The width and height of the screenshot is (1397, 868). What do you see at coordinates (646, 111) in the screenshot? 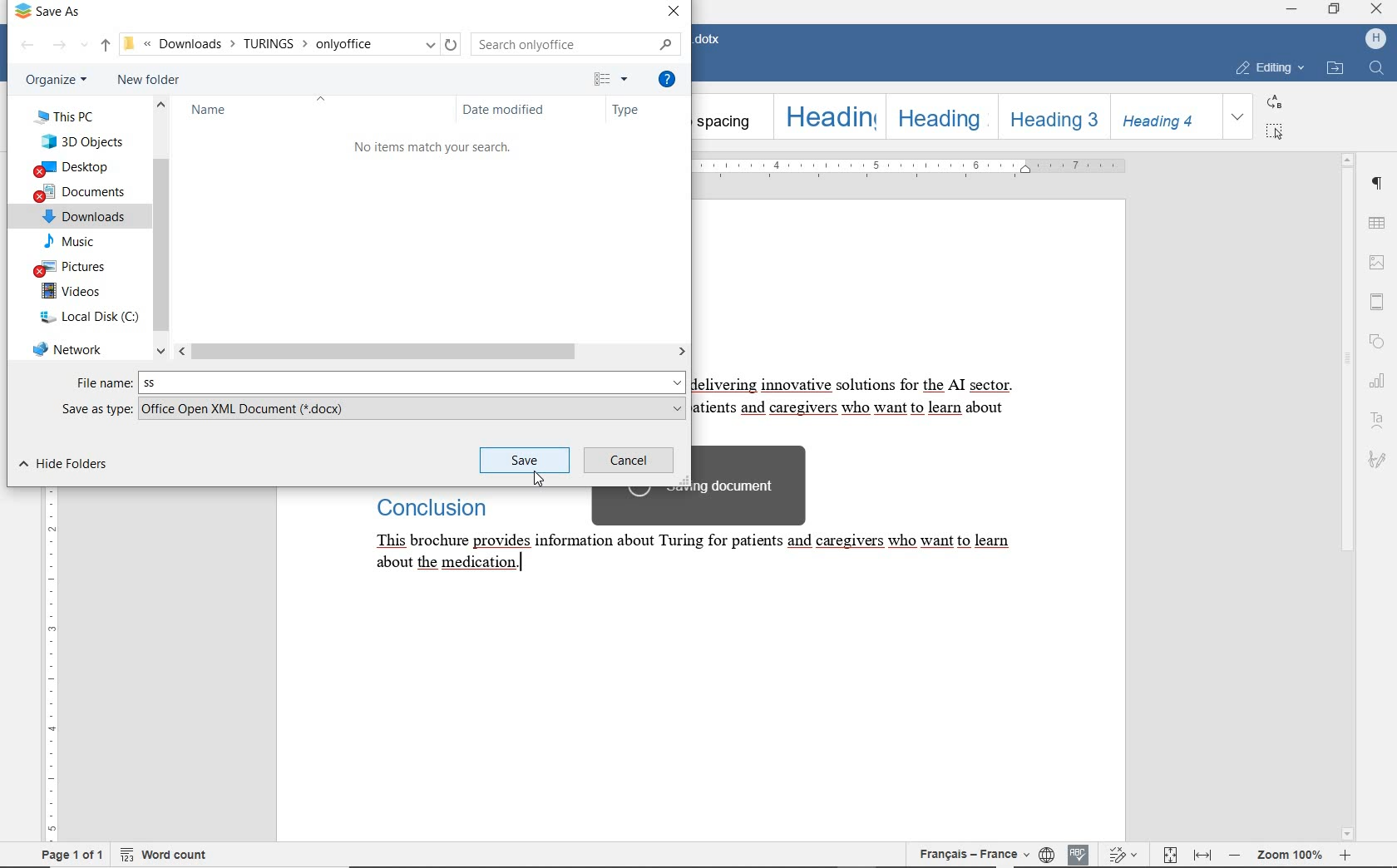
I see `TYPE` at bounding box center [646, 111].